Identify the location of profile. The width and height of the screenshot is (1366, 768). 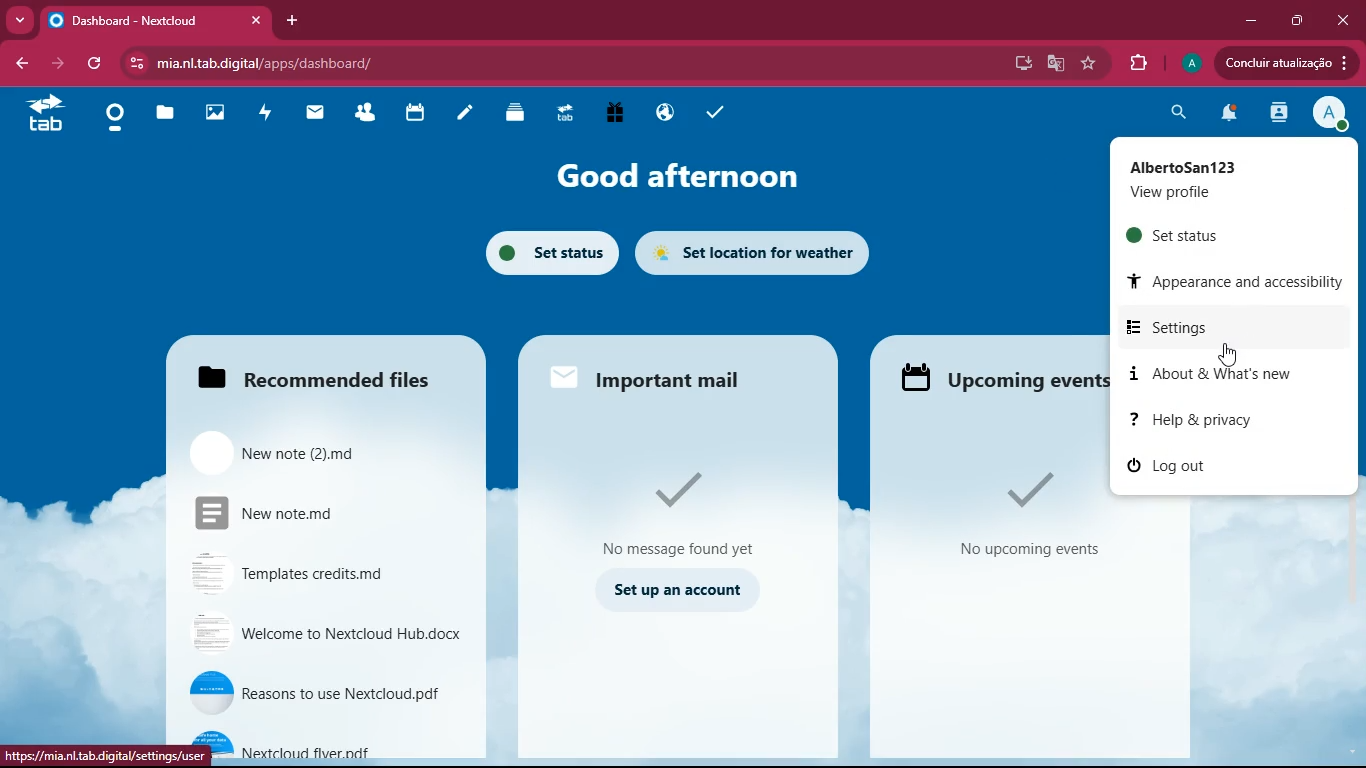
(1329, 114).